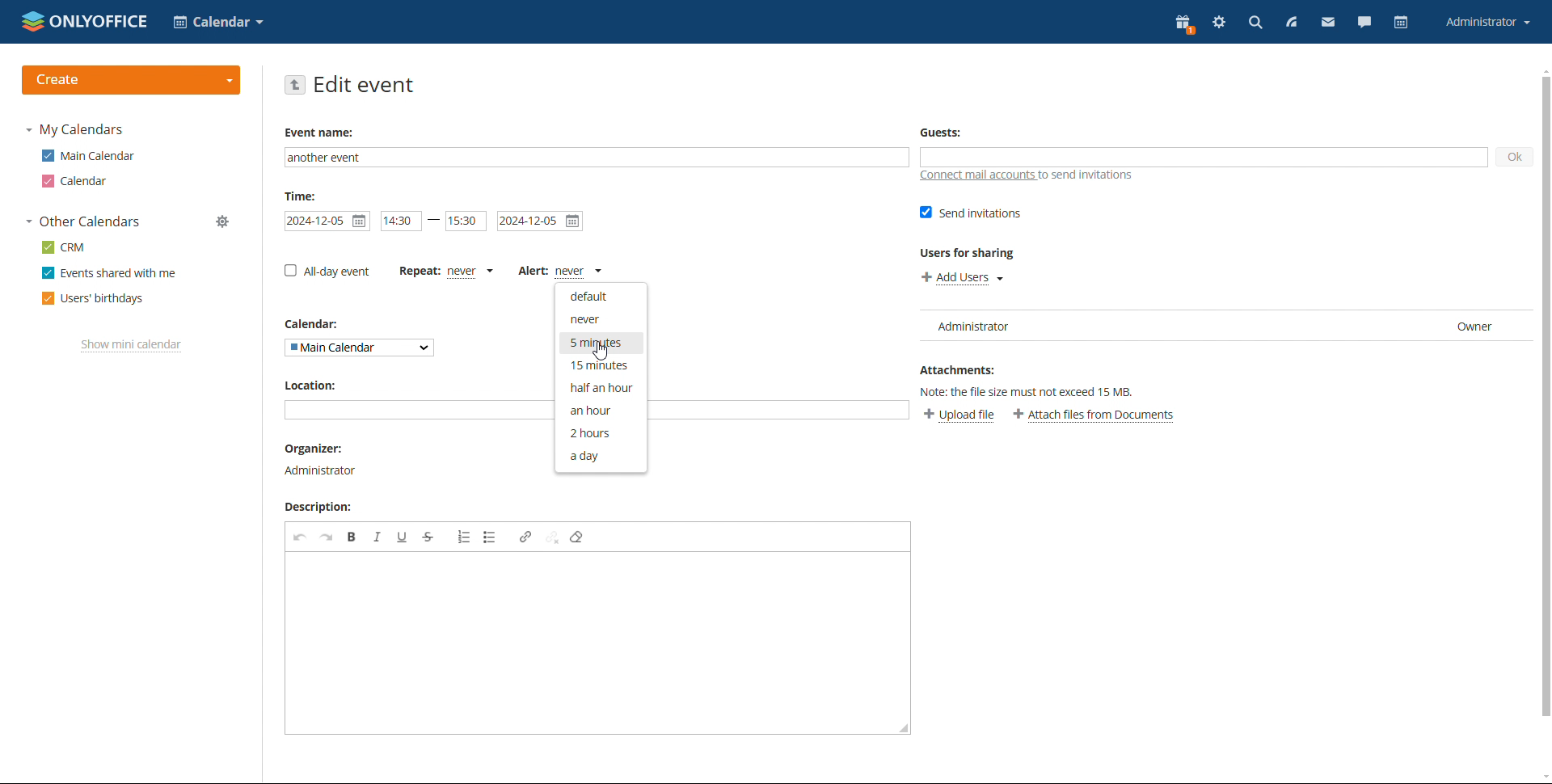 The height and width of the screenshot is (784, 1552). Describe the element at coordinates (969, 253) in the screenshot. I see `Users for sharing` at that location.